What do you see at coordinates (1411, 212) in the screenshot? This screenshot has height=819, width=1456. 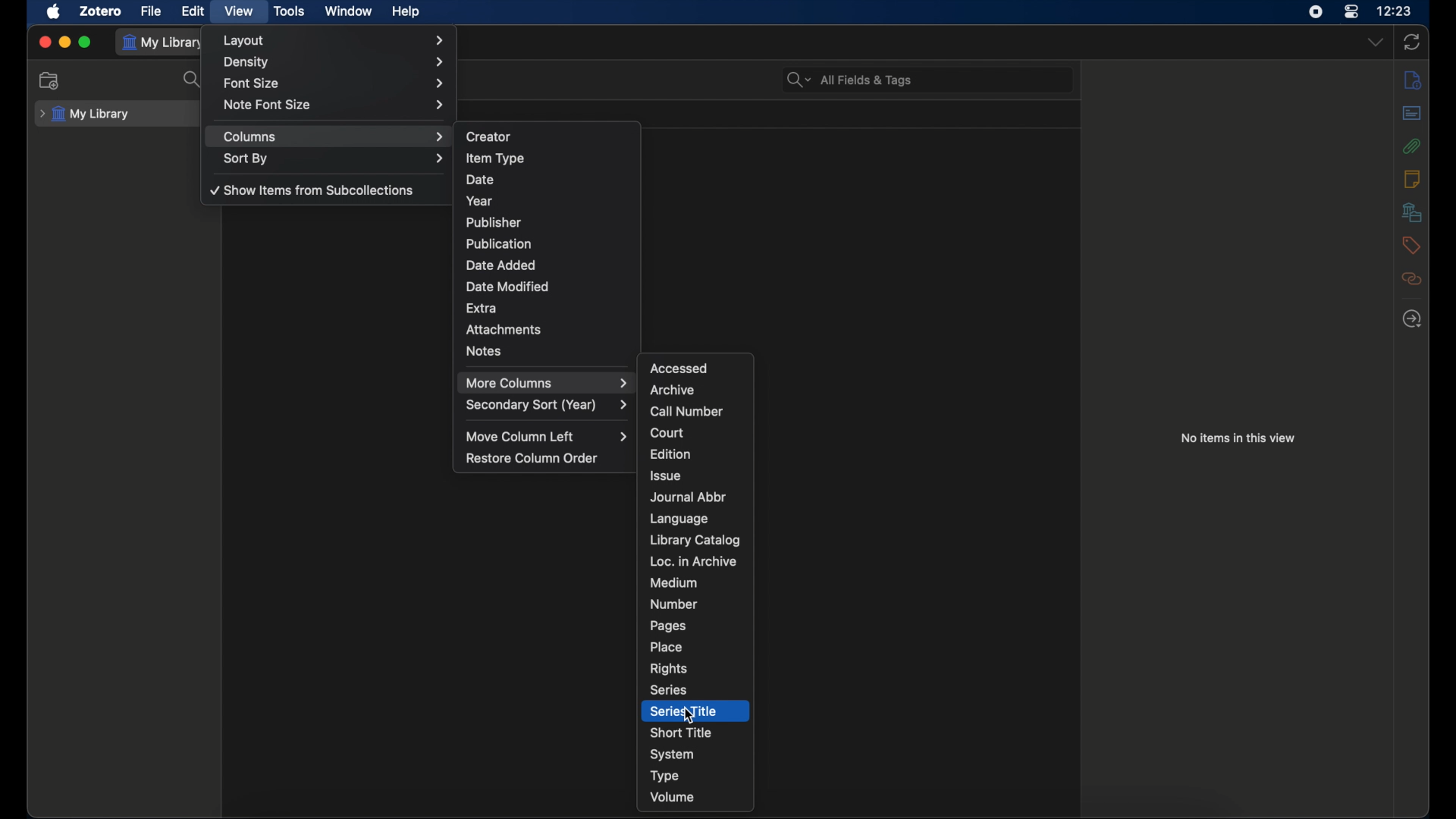 I see `libraries` at bounding box center [1411, 212].